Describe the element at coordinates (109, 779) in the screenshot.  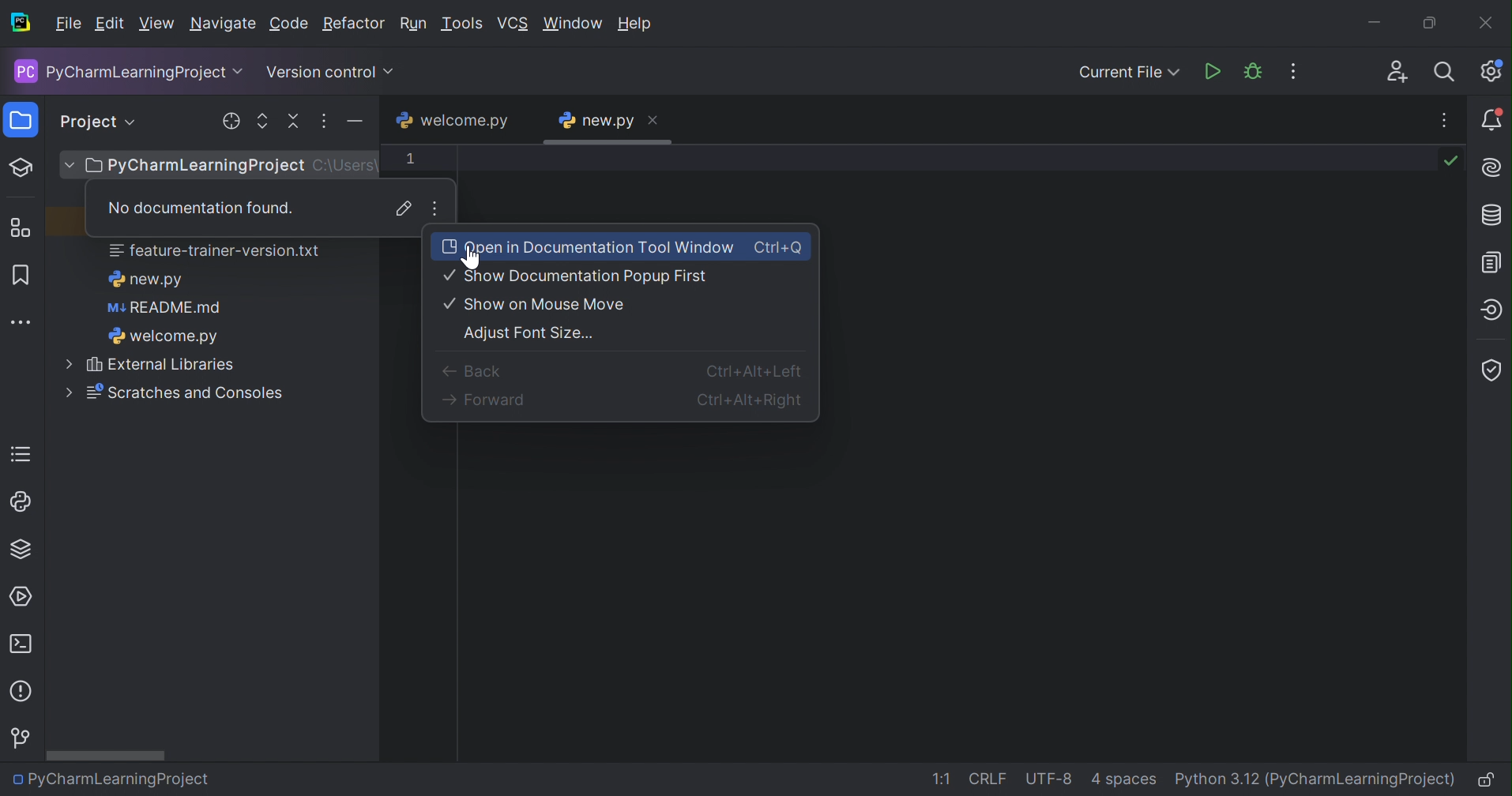
I see `PyCharmLearningProject` at that location.